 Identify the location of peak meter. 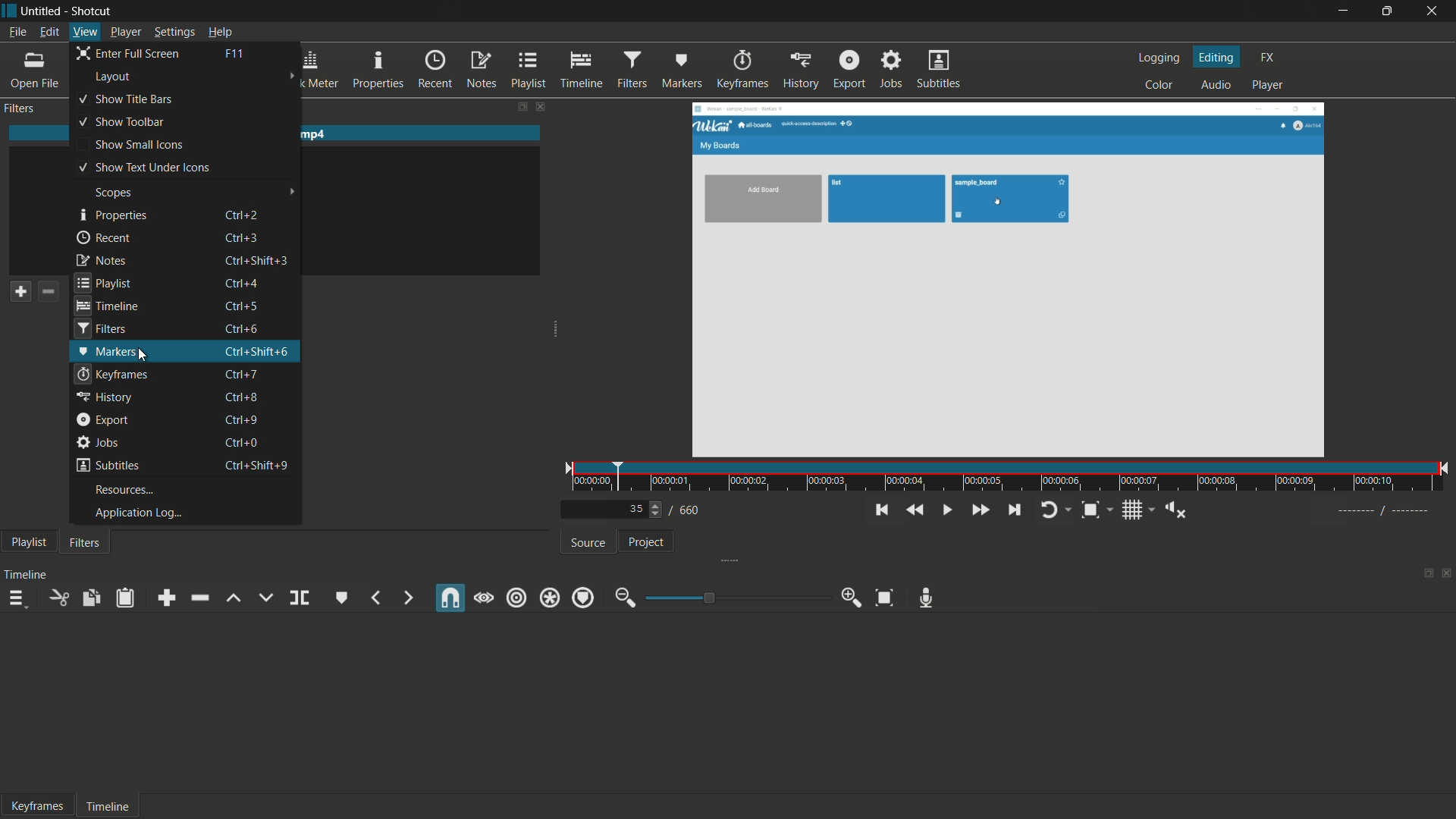
(317, 71).